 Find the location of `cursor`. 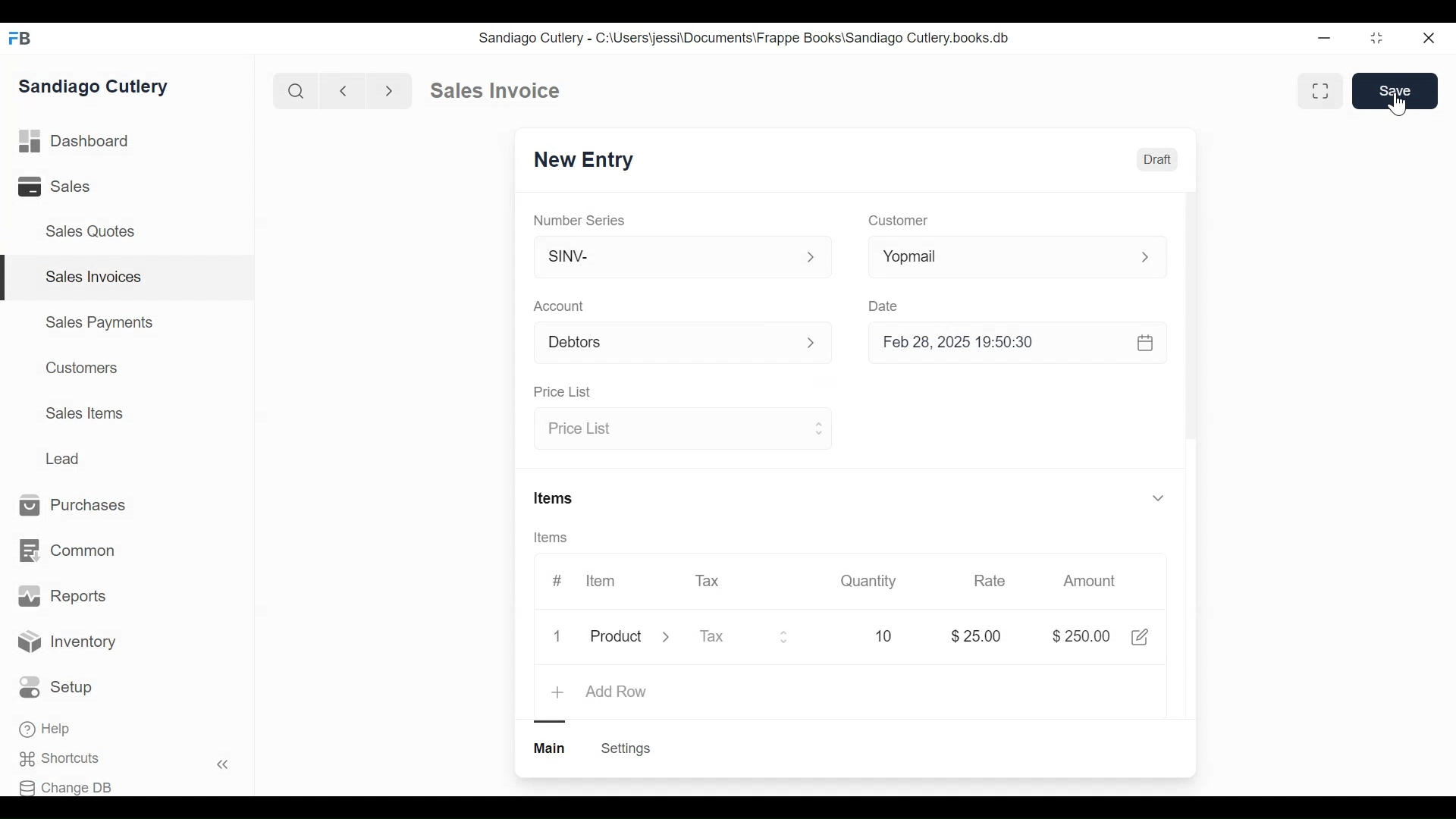

cursor is located at coordinates (1398, 106).